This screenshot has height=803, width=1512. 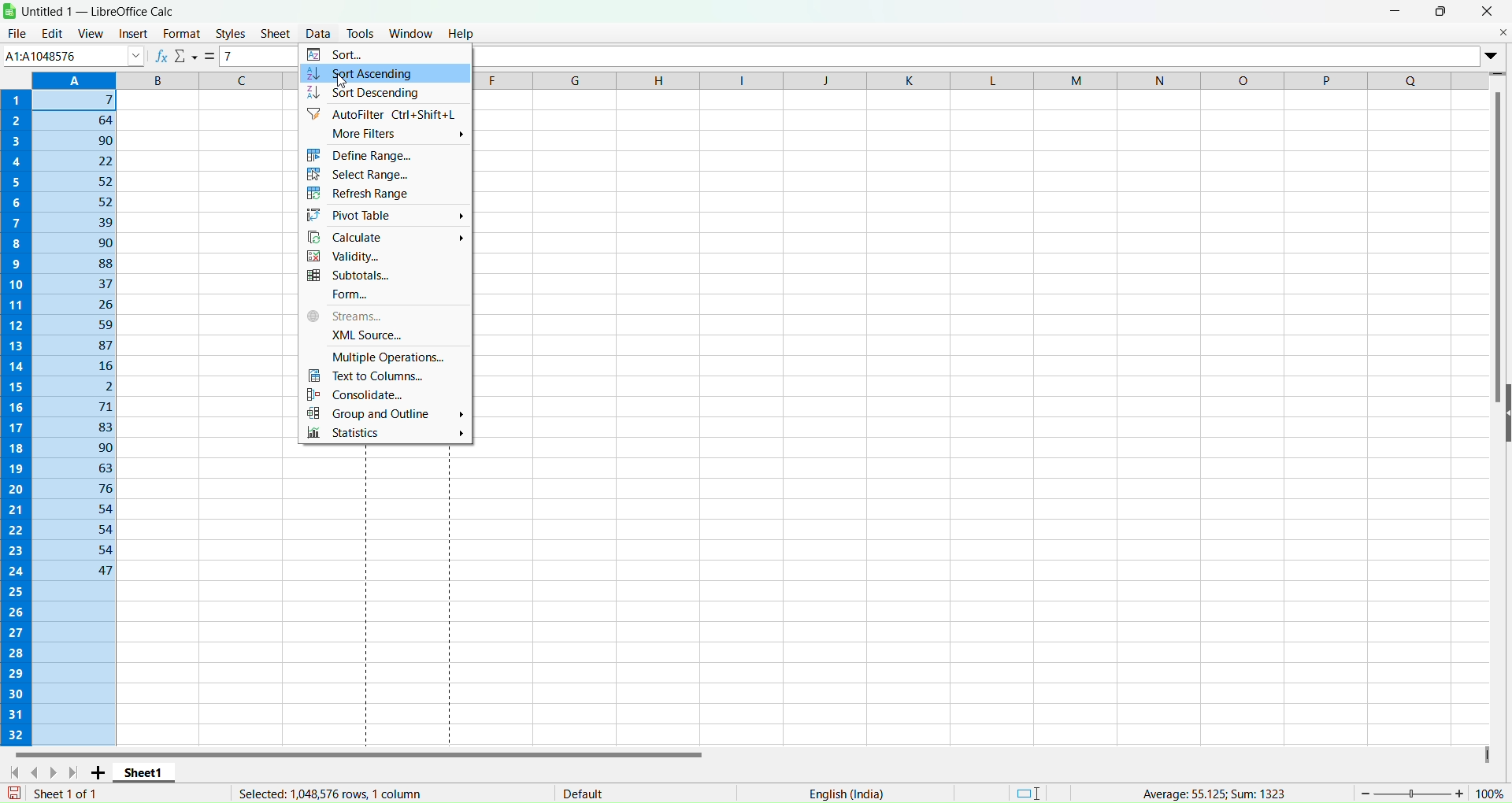 What do you see at coordinates (383, 377) in the screenshot?
I see `Text to Columns` at bounding box center [383, 377].